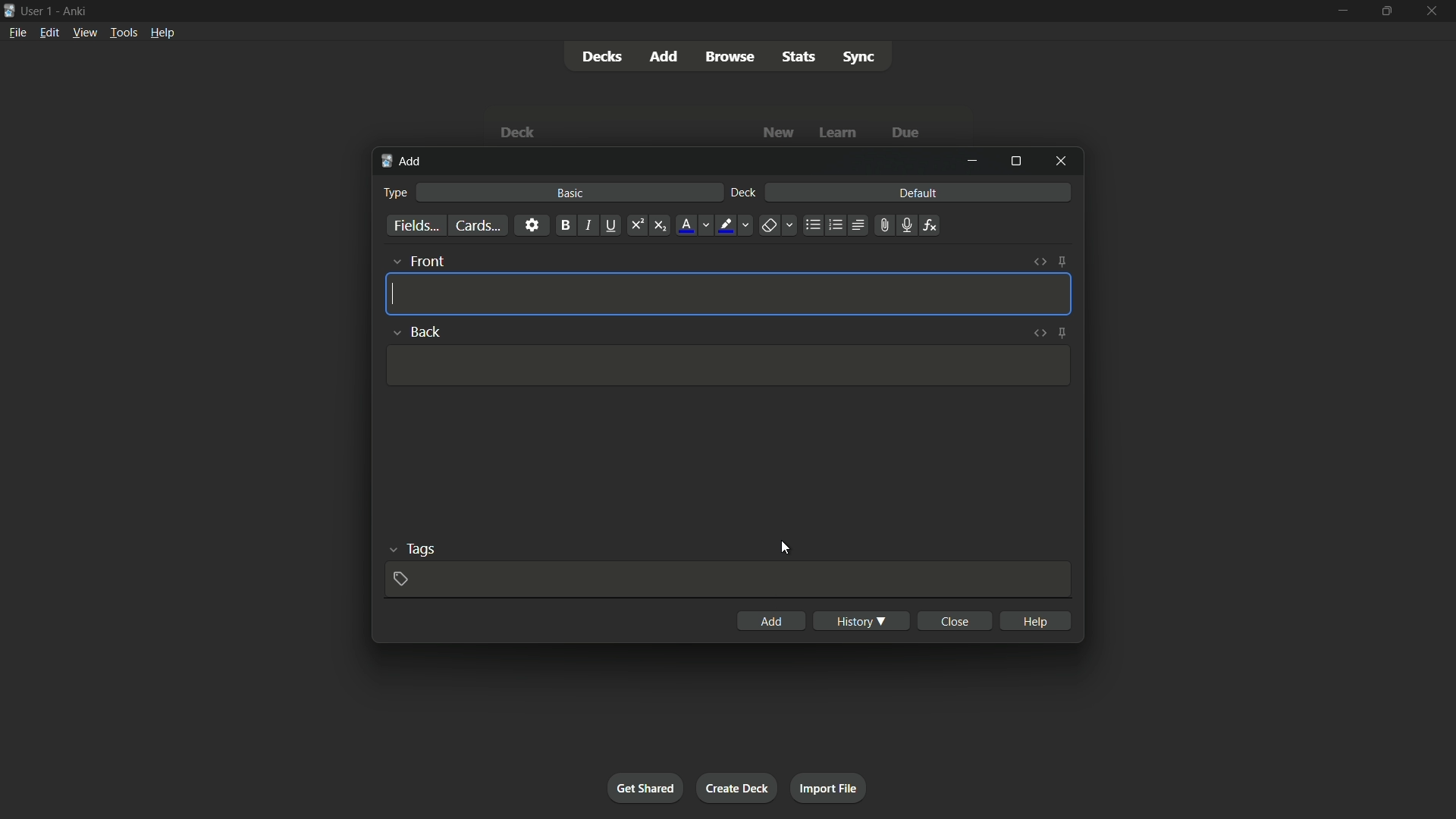 The image size is (1456, 819). What do you see at coordinates (729, 56) in the screenshot?
I see `browse` at bounding box center [729, 56].